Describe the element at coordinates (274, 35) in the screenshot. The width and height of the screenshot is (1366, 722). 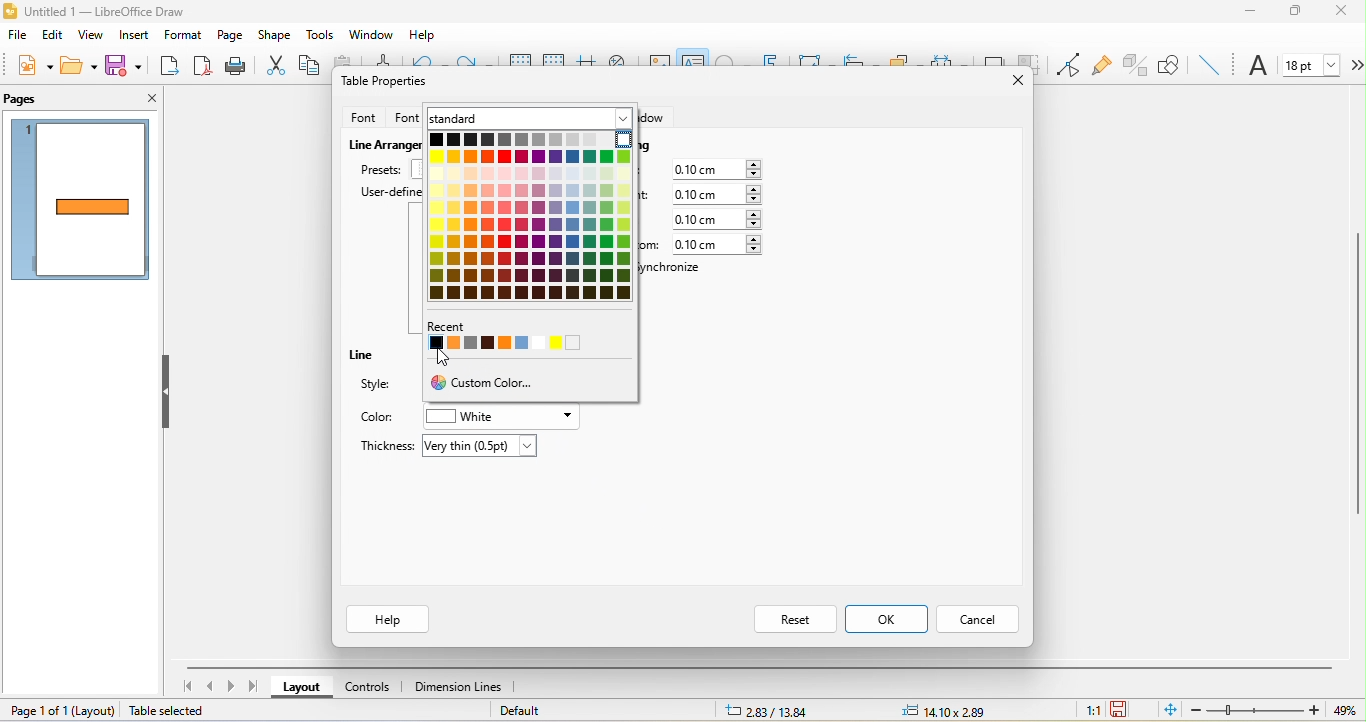
I see `shape` at that location.